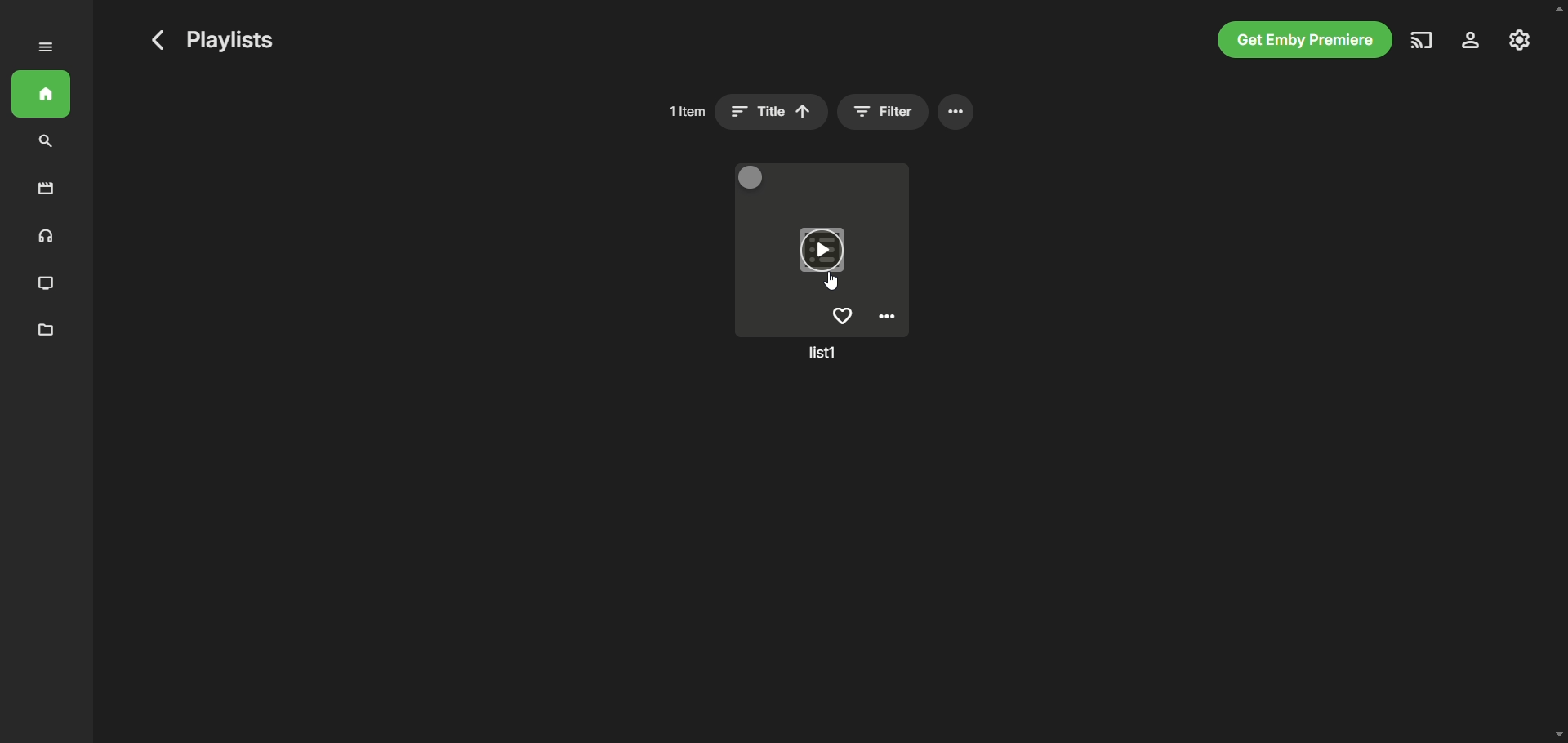  What do you see at coordinates (47, 284) in the screenshot?
I see `TV shows` at bounding box center [47, 284].